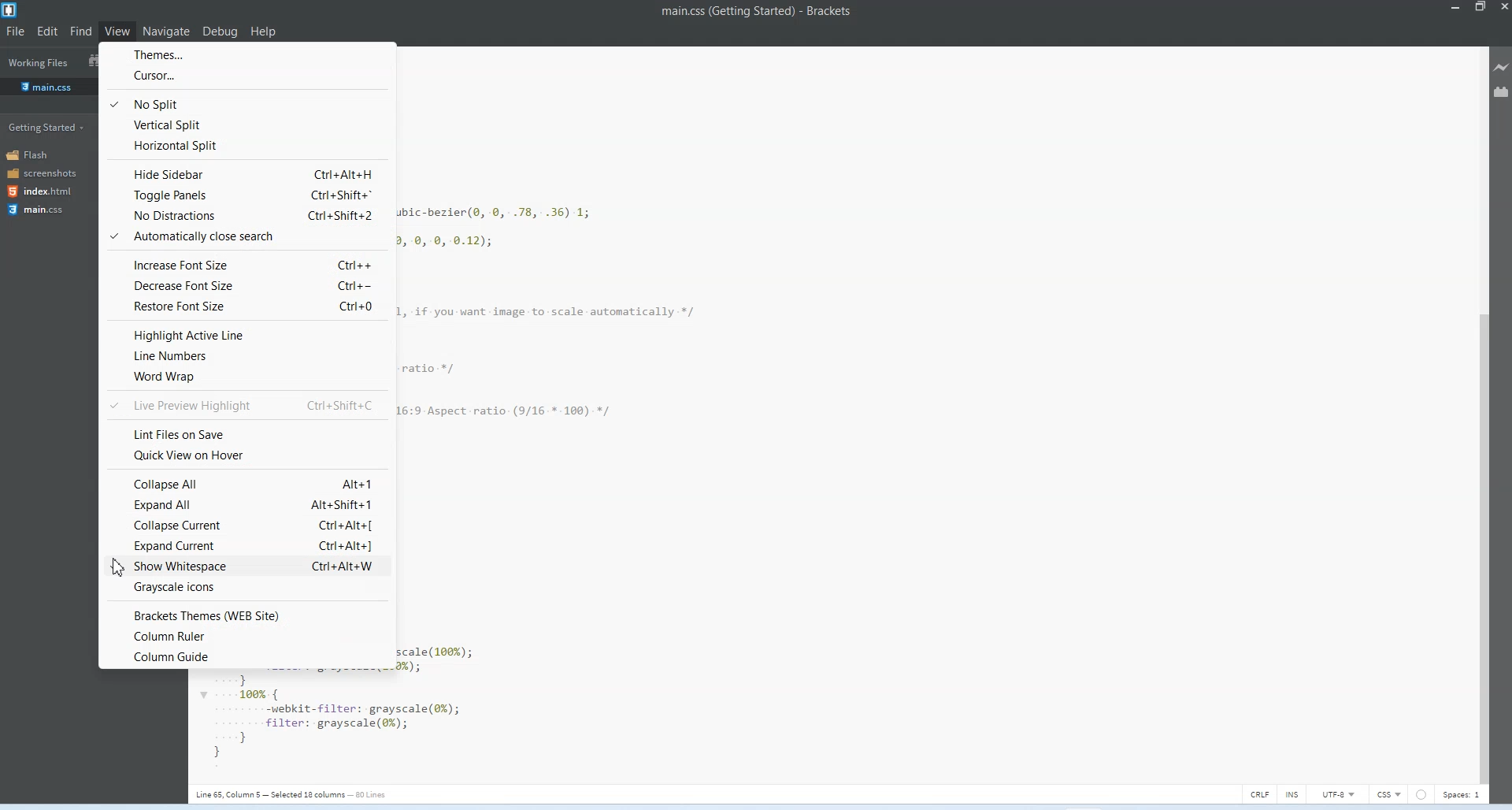  I want to click on Close, so click(1503, 9).